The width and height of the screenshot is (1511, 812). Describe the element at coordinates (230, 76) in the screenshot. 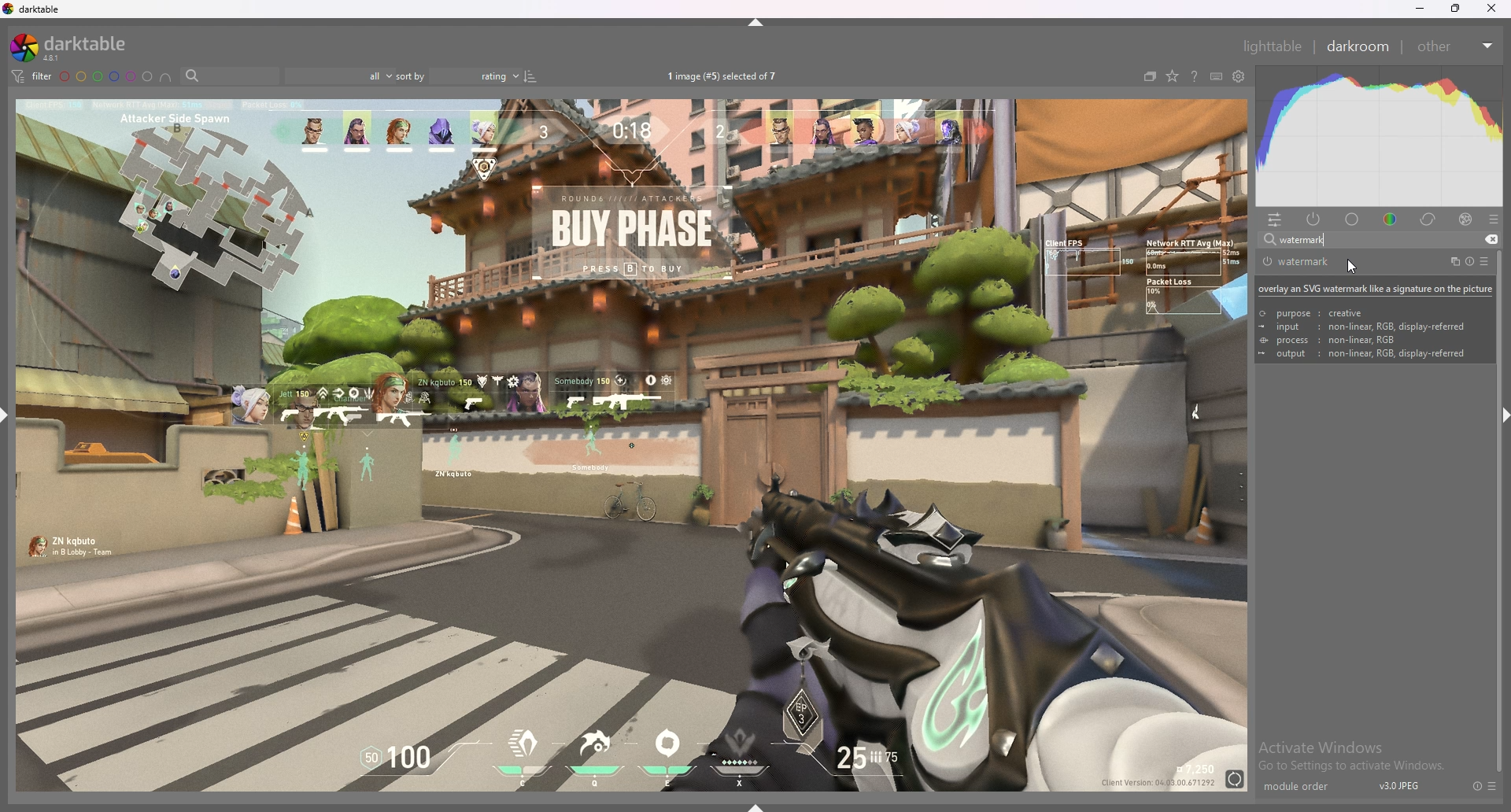

I see `filter by text` at that location.